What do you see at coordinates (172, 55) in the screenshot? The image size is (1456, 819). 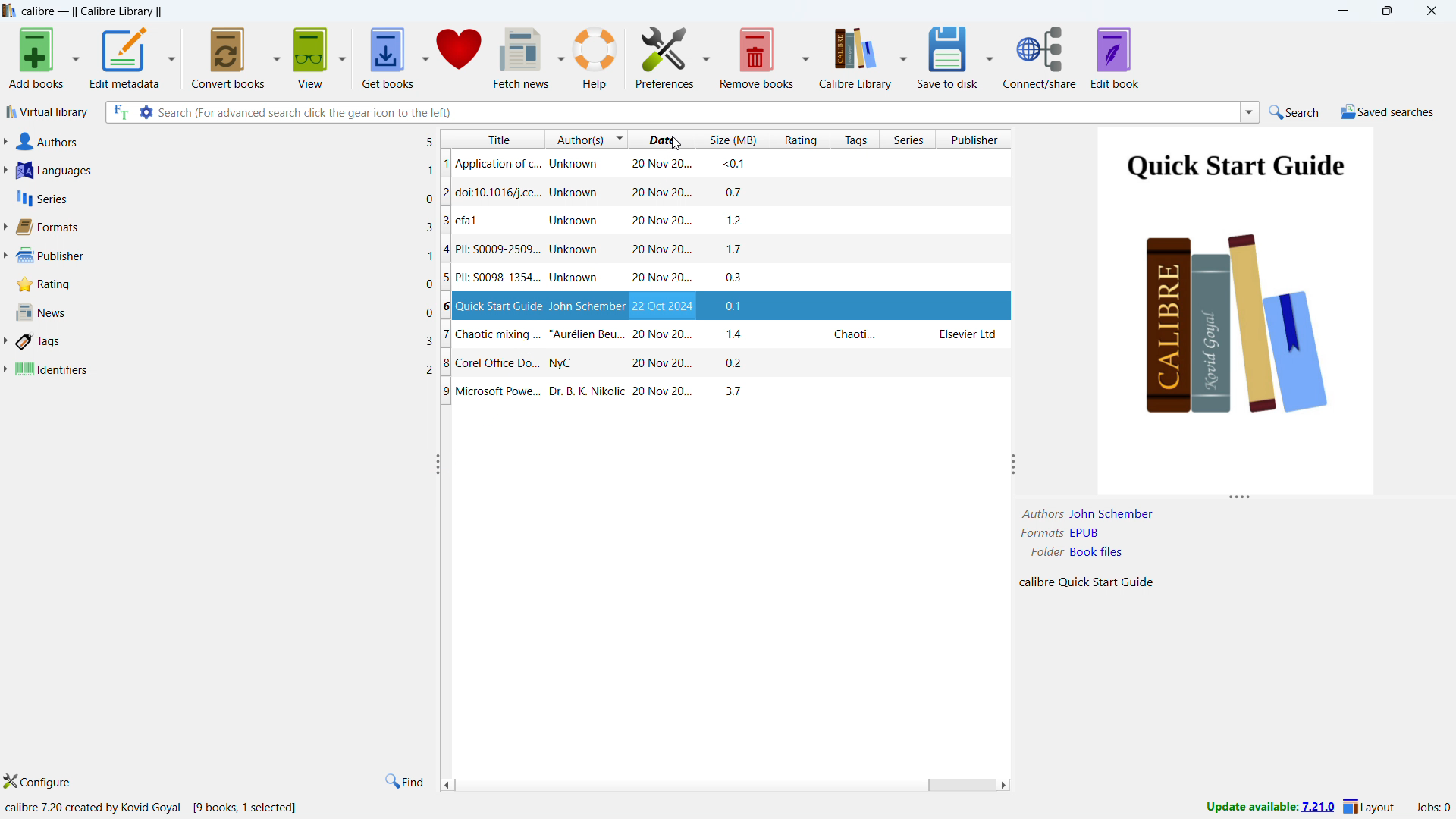 I see `edit metadata options` at bounding box center [172, 55].